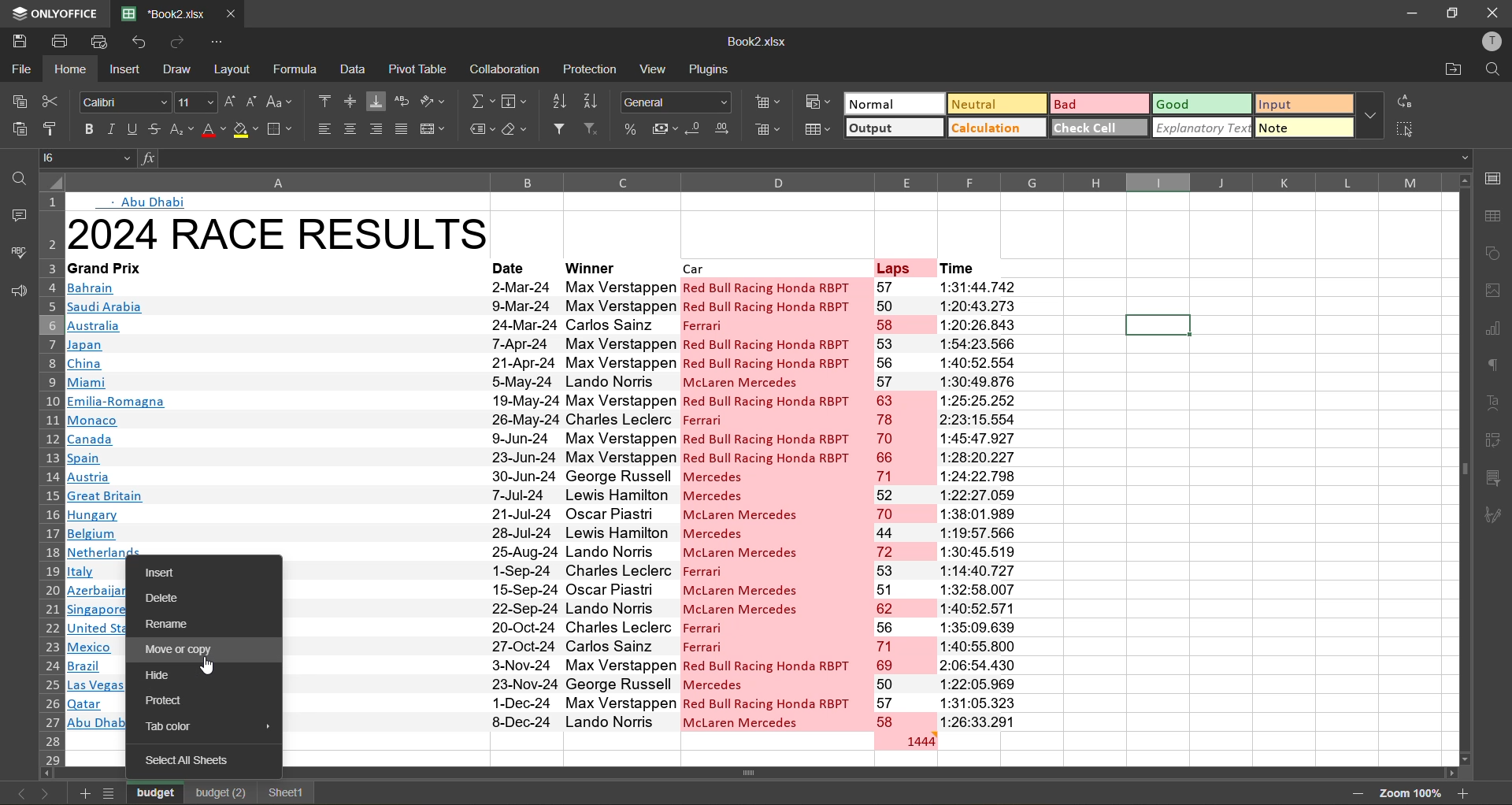  I want to click on laps, so click(902, 267).